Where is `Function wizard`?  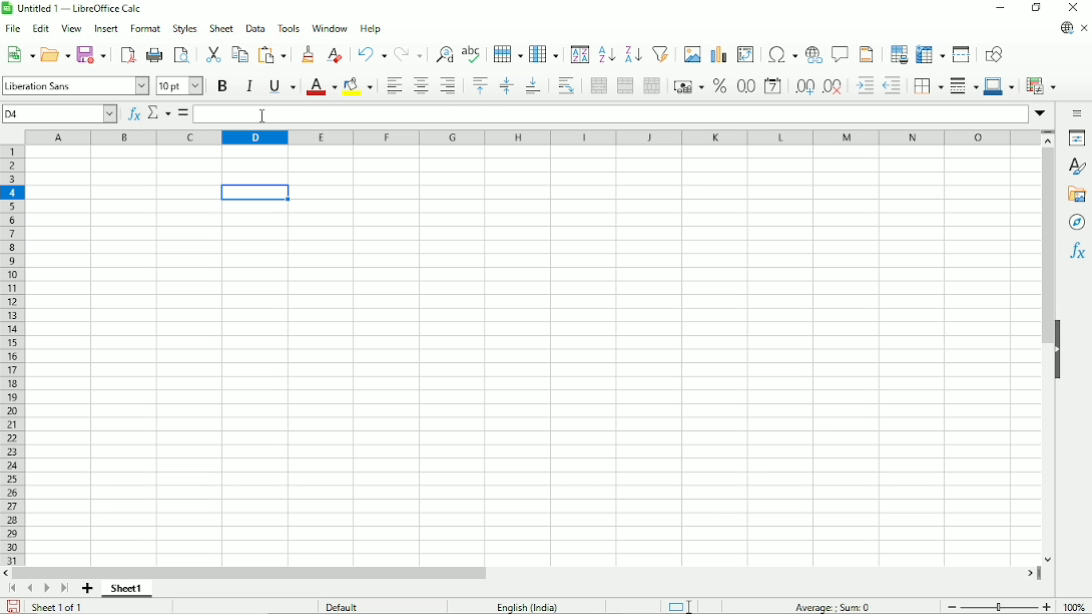
Function wizard is located at coordinates (133, 114).